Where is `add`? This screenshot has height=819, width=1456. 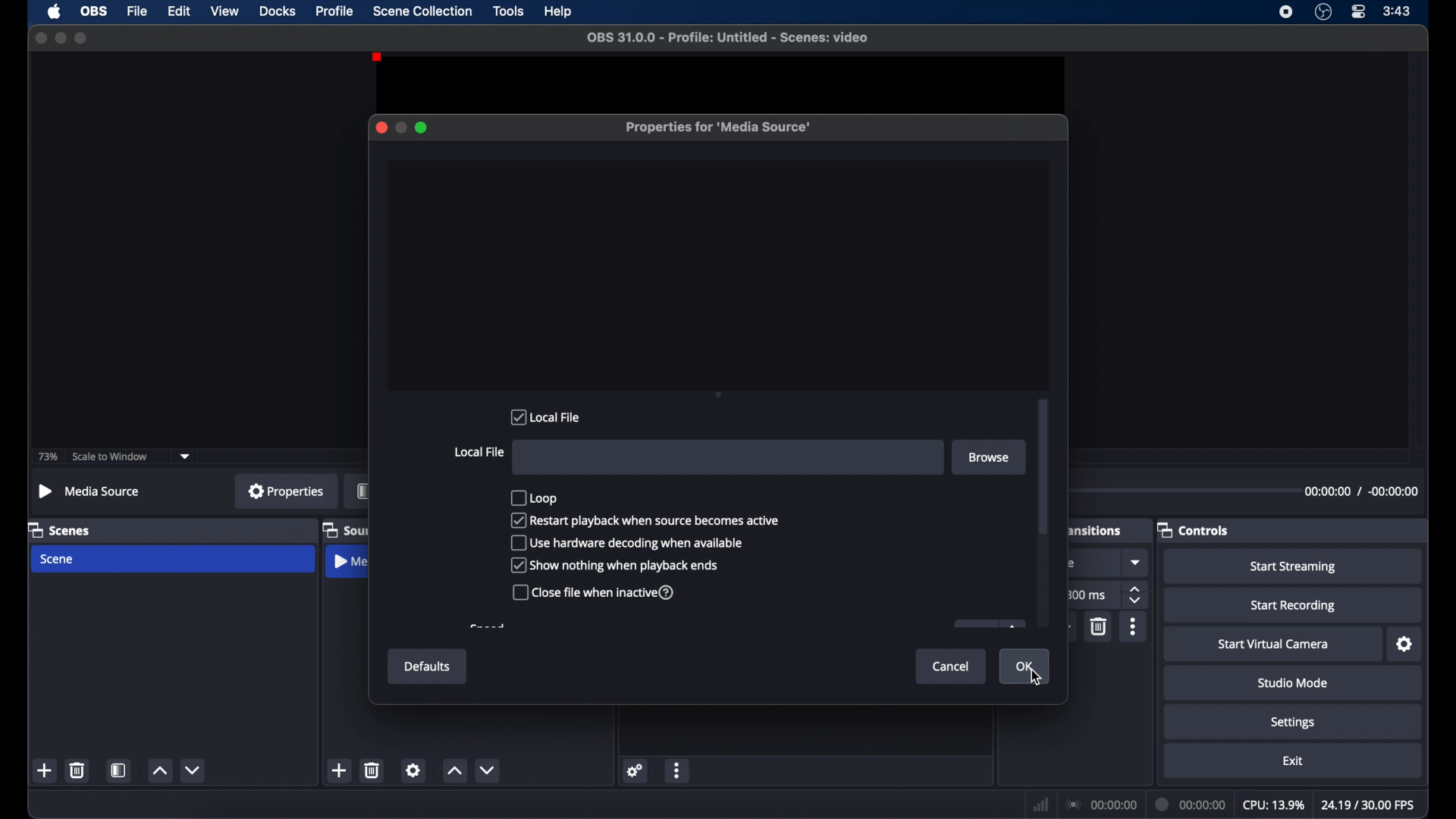
add is located at coordinates (45, 770).